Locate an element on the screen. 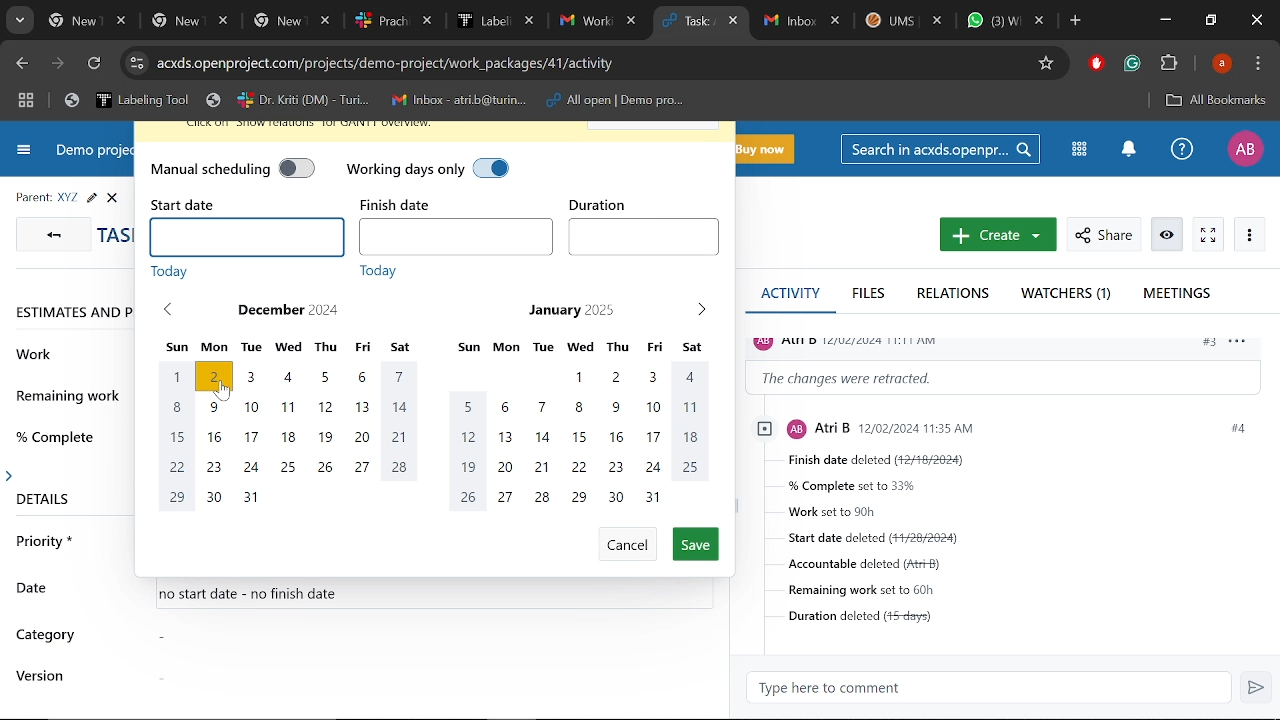 The height and width of the screenshot is (720, 1280). details is located at coordinates (39, 494).